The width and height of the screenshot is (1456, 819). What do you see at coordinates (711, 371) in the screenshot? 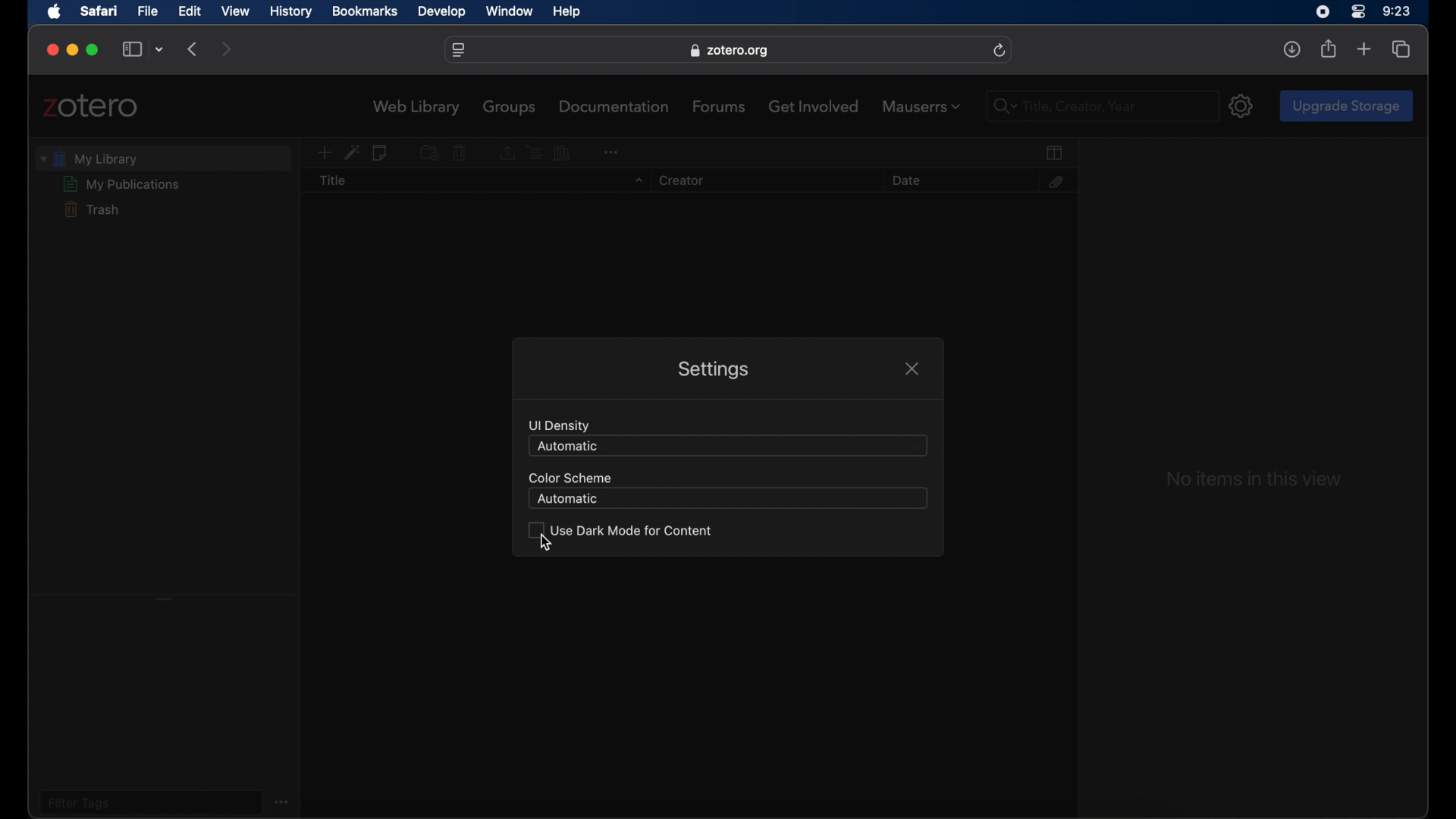
I see `settings` at bounding box center [711, 371].